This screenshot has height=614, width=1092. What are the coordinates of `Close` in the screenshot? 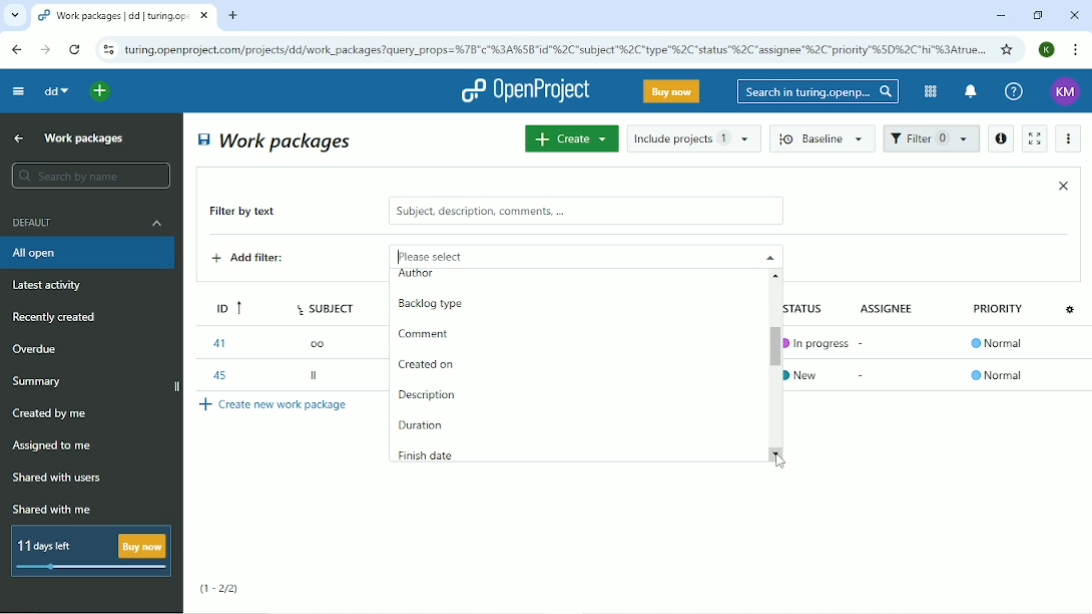 It's located at (1074, 15).